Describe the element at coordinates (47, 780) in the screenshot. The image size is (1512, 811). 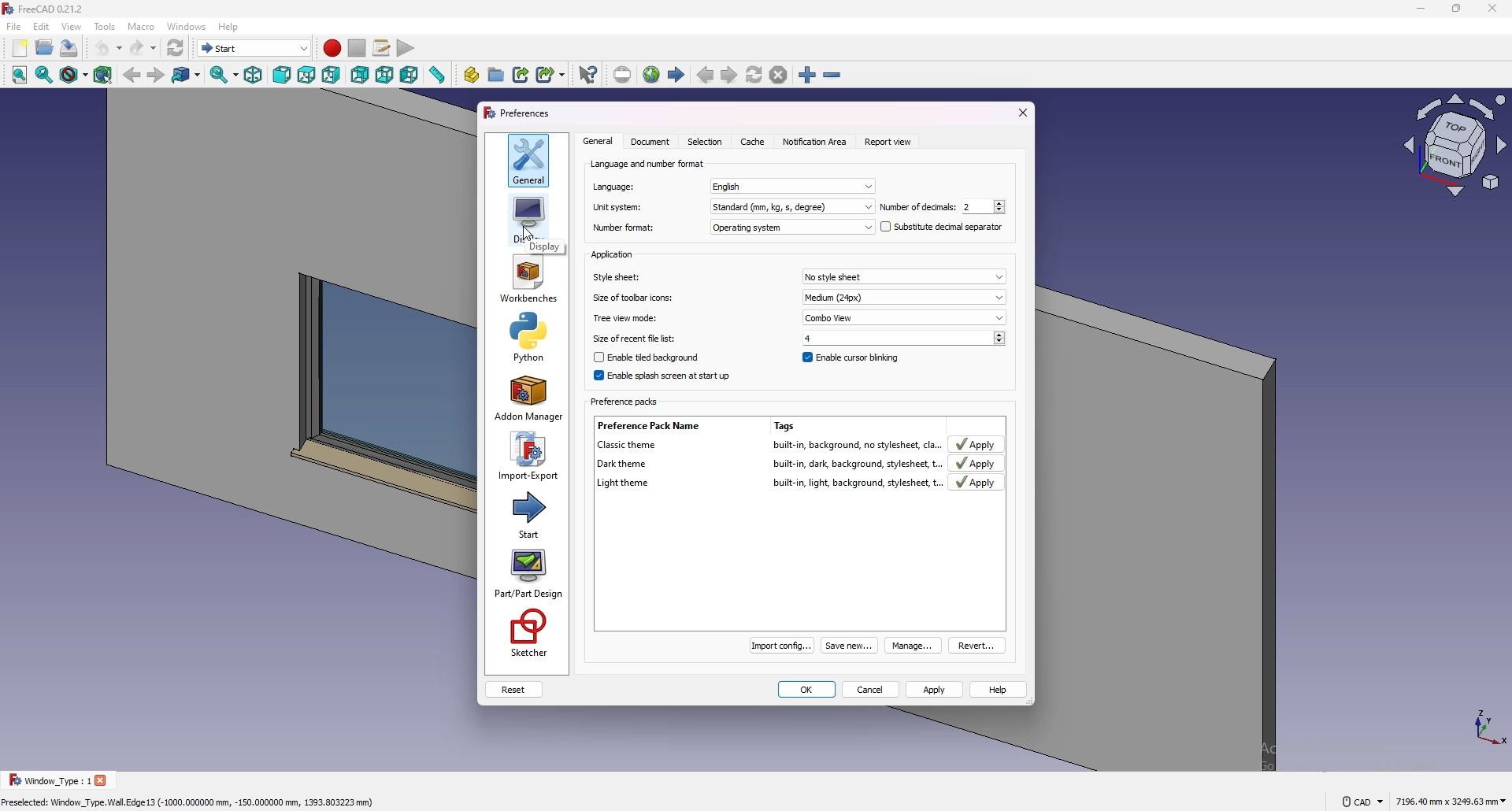
I see `Window _Type : 1` at that location.